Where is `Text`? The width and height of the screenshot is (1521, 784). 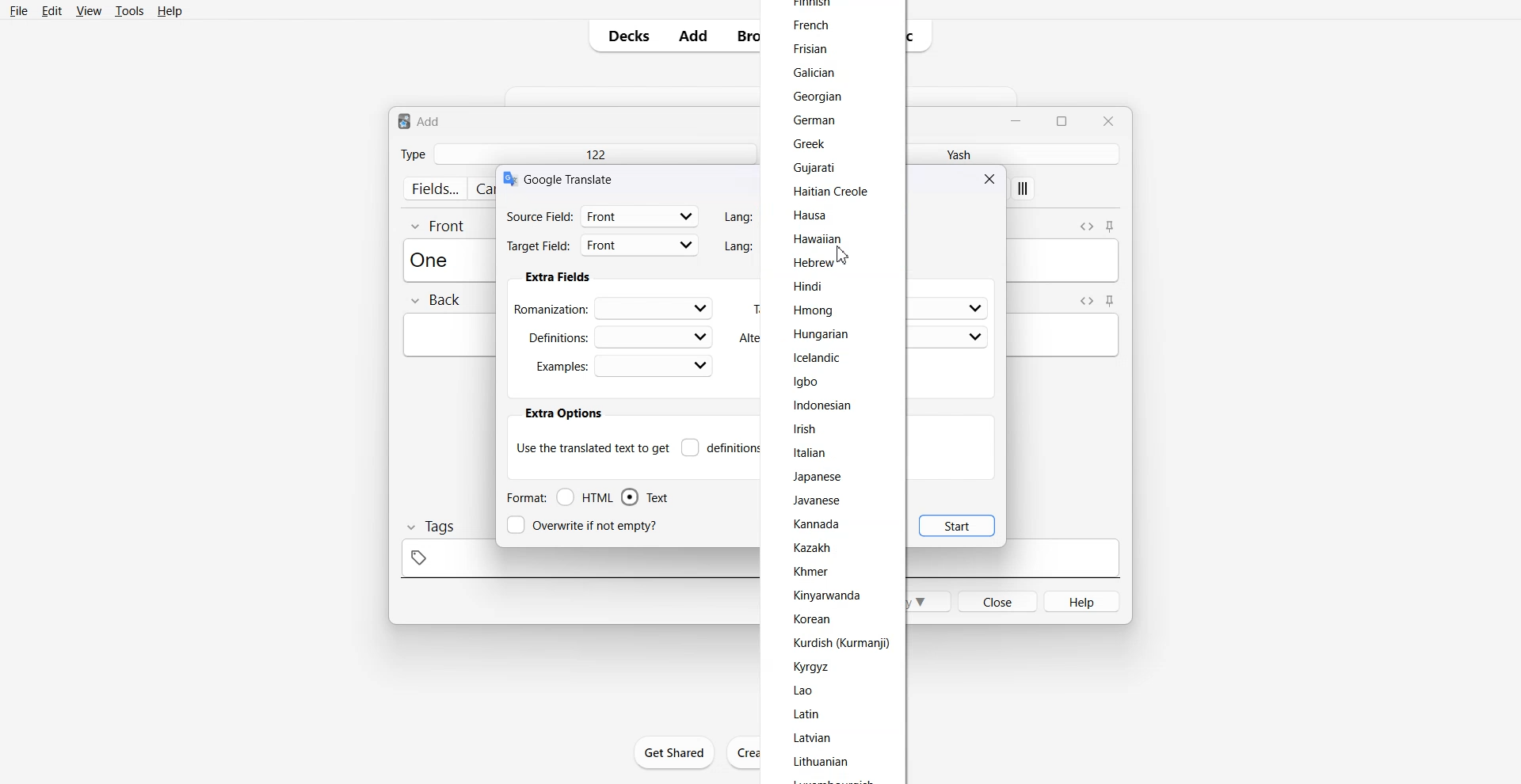 Text is located at coordinates (645, 497).